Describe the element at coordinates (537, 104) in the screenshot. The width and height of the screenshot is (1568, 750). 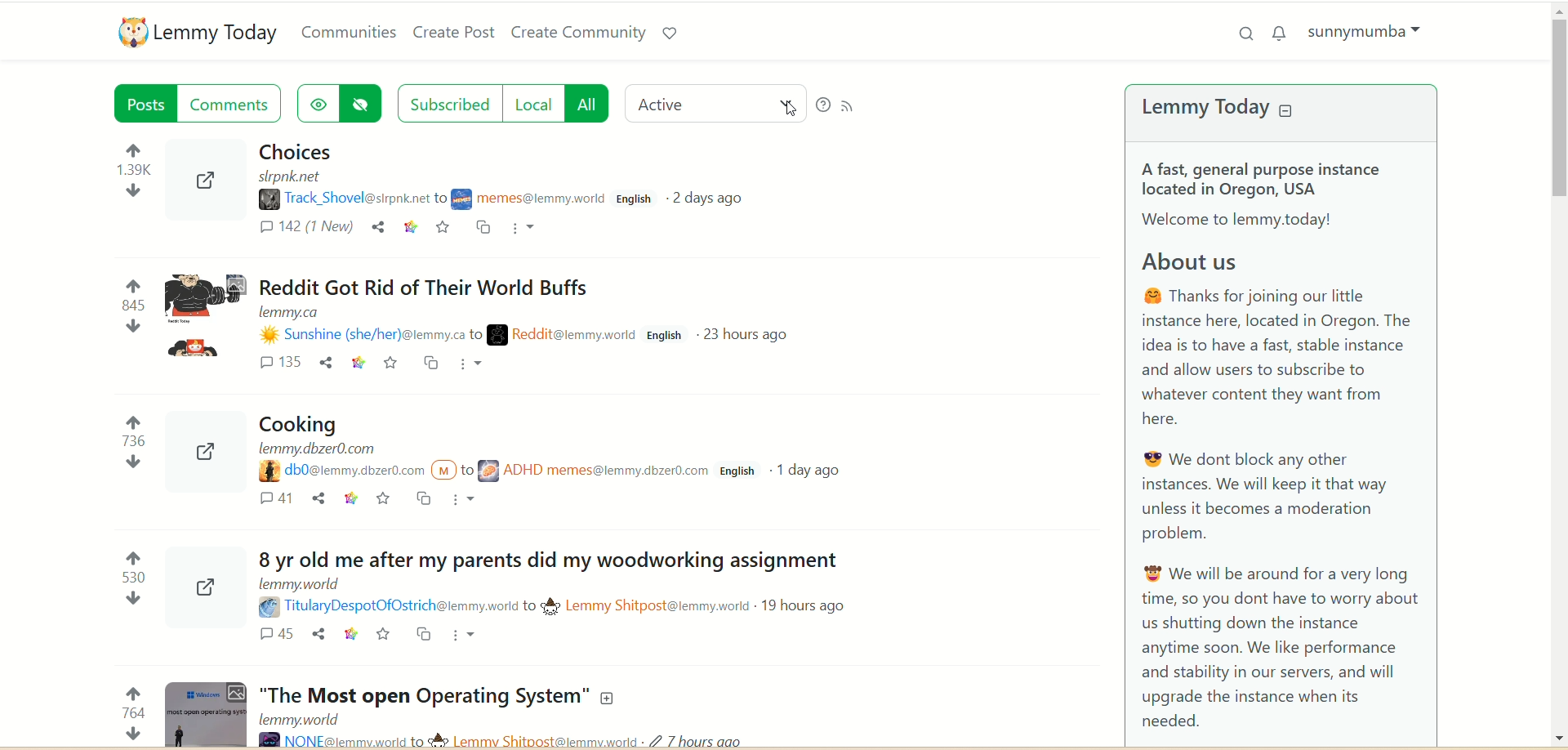
I see `local` at that location.